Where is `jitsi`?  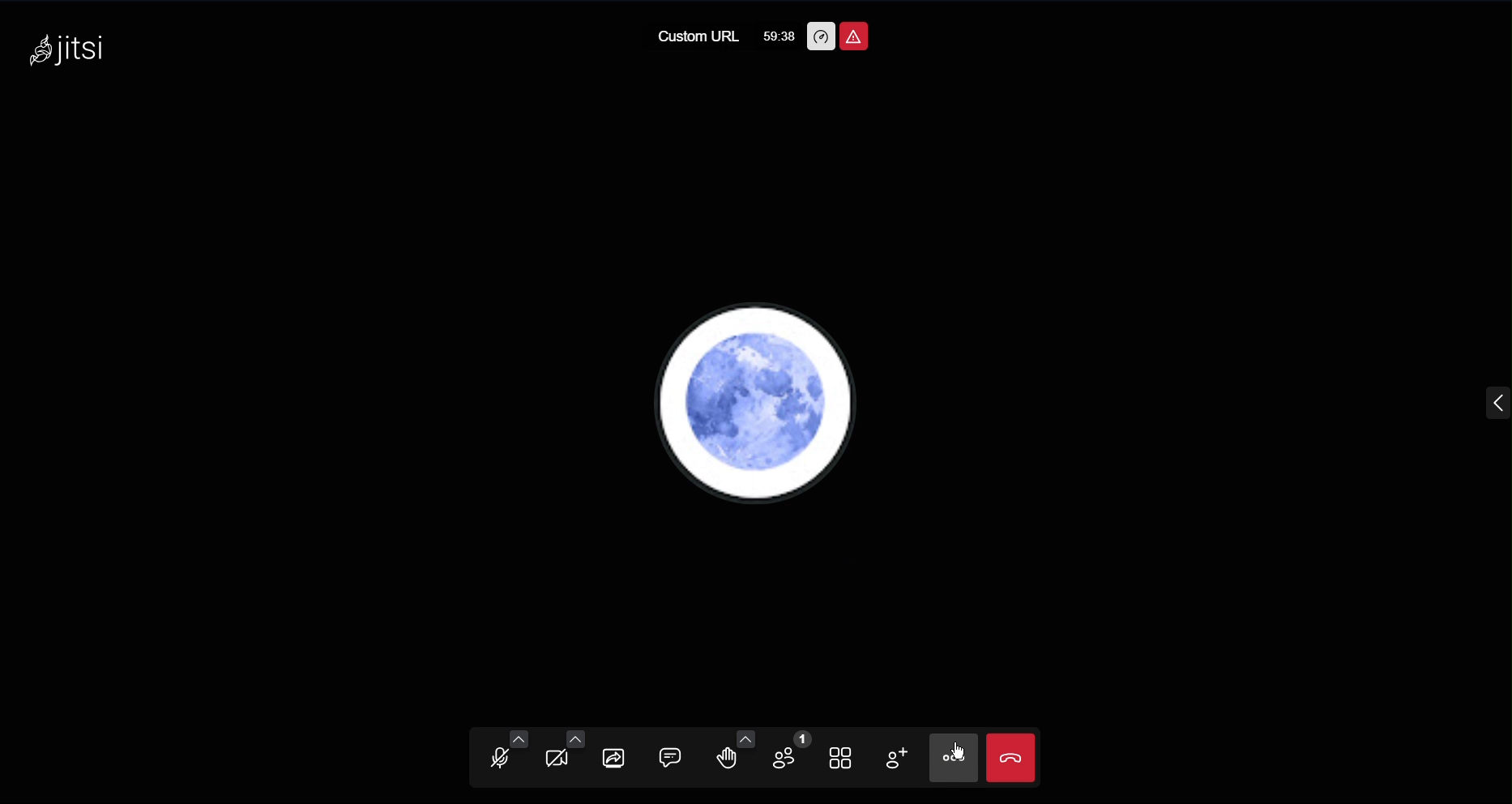
jitsi is located at coordinates (70, 45).